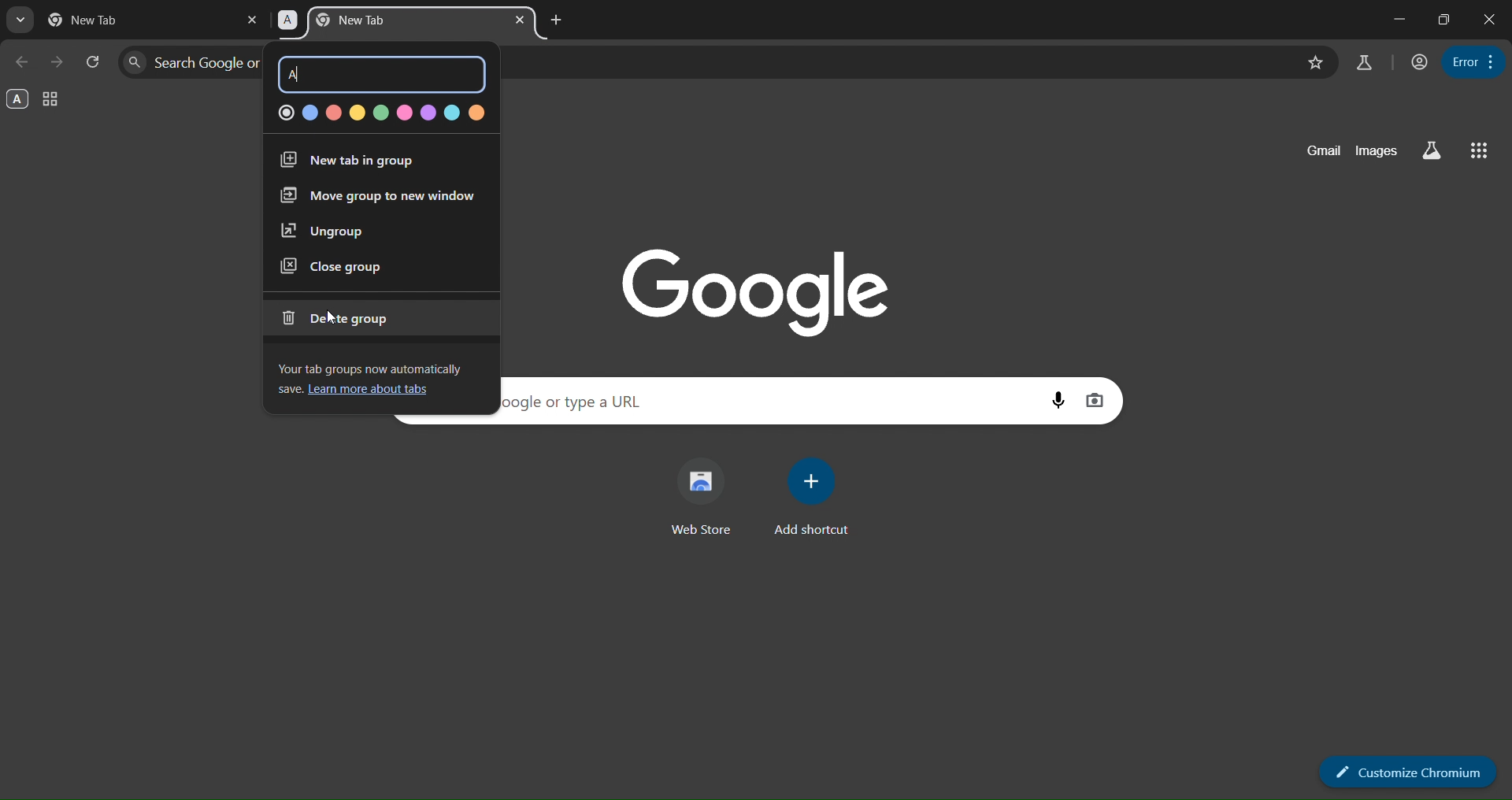 The image size is (1512, 800). What do you see at coordinates (554, 19) in the screenshot?
I see `add new tab` at bounding box center [554, 19].